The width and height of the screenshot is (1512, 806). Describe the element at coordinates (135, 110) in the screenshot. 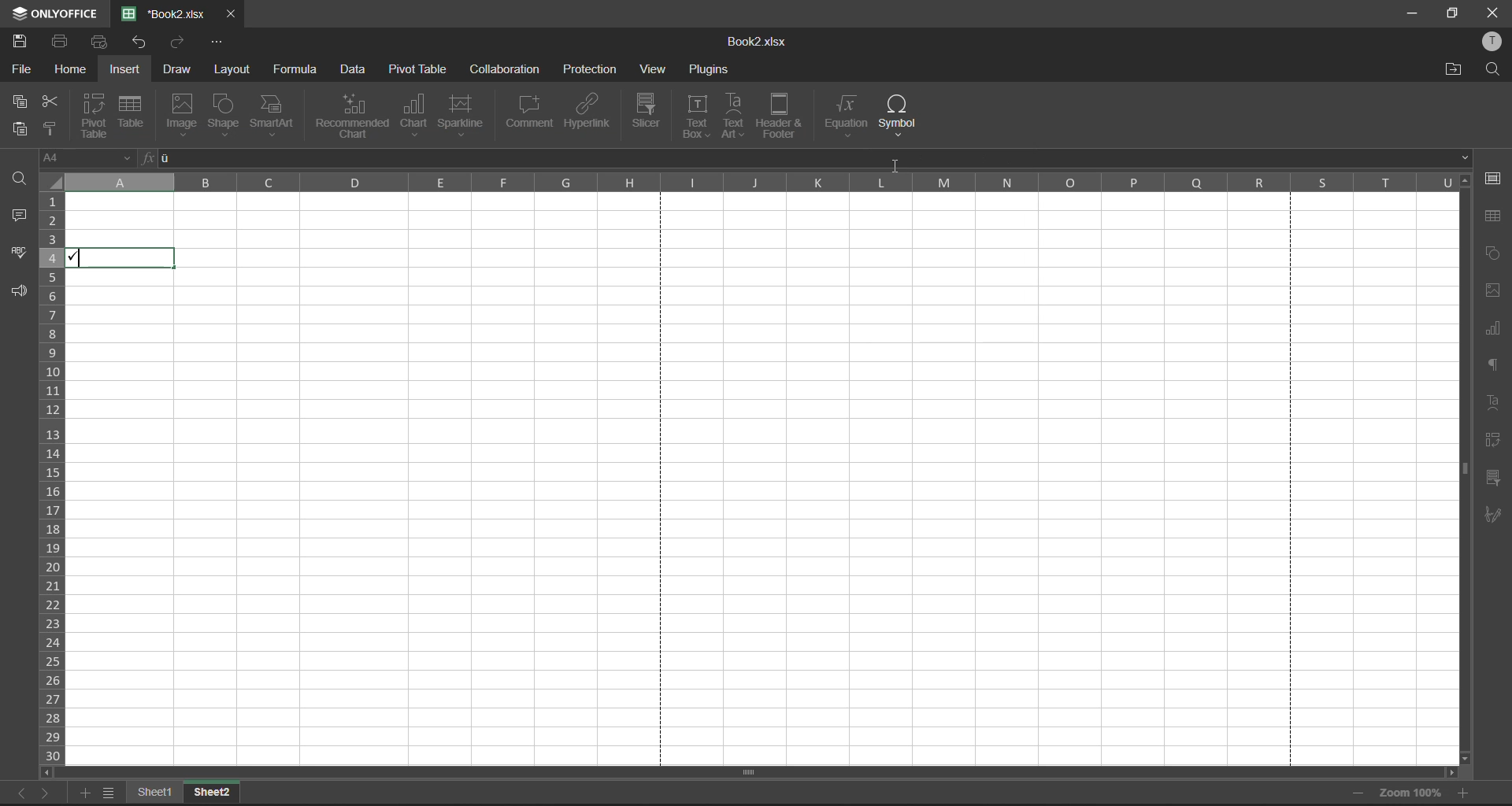

I see `table` at that location.